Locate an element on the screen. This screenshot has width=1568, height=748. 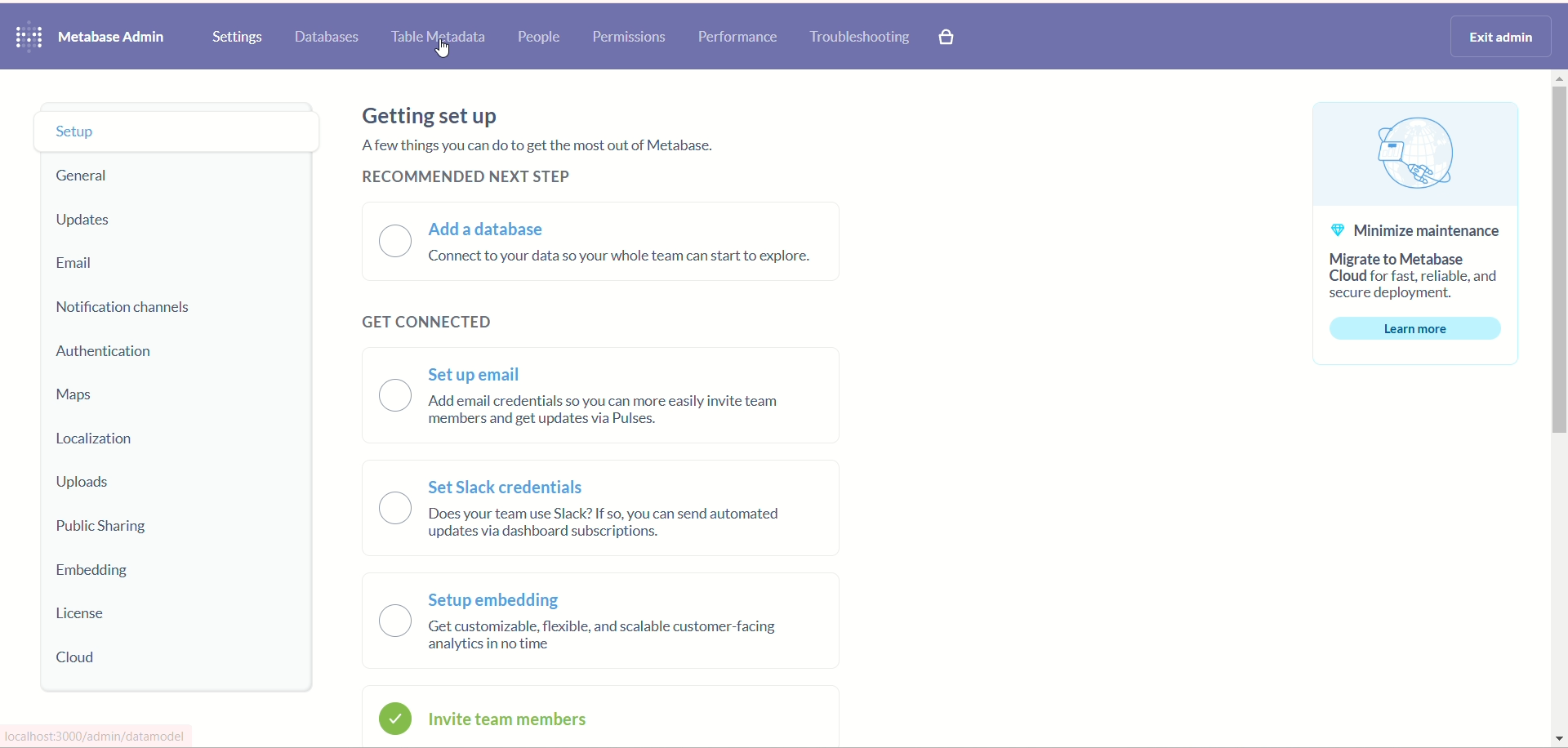
general is located at coordinates (85, 178).